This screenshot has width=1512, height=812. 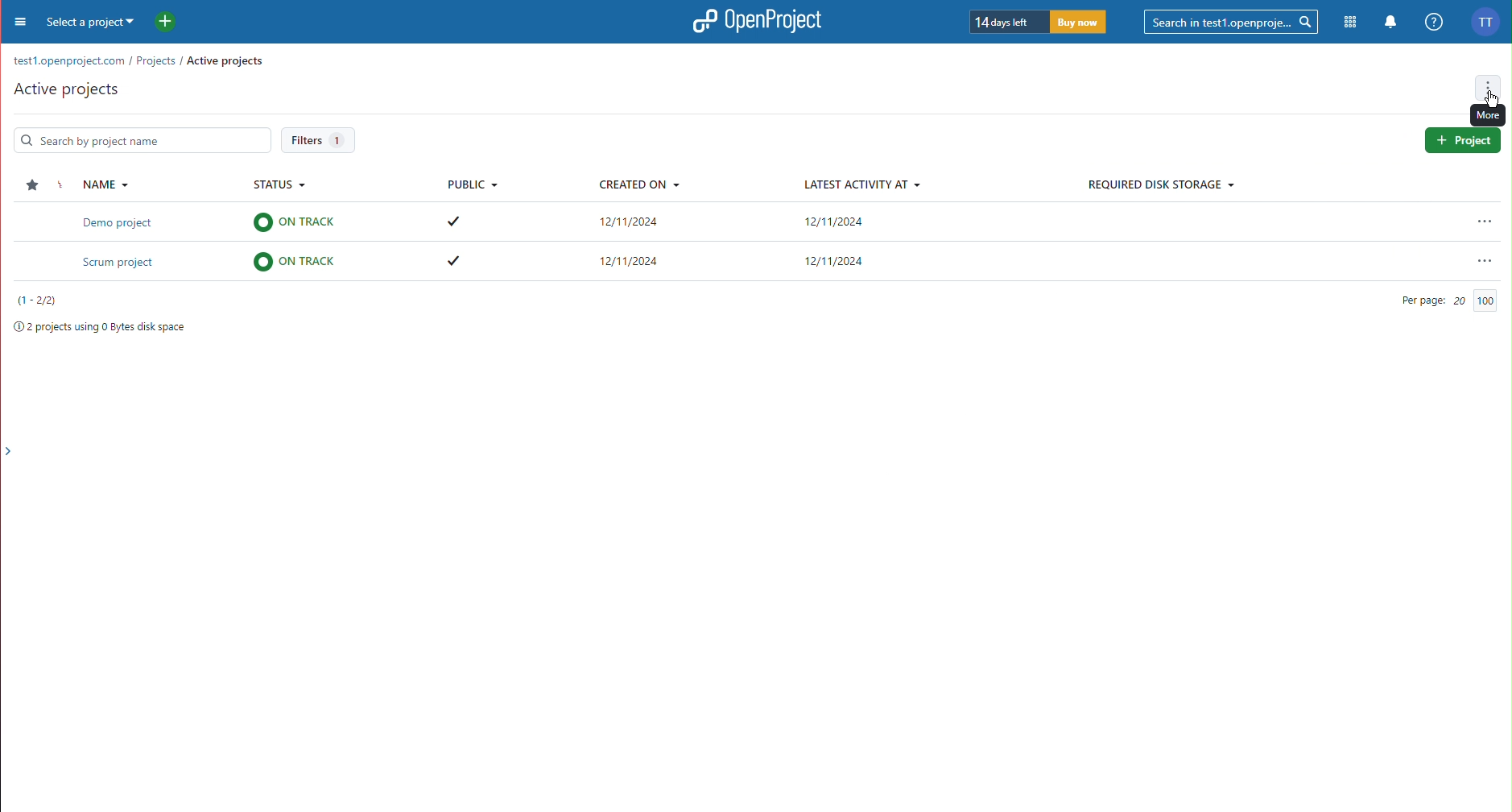 I want to click on Menu, so click(x=16, y=22).